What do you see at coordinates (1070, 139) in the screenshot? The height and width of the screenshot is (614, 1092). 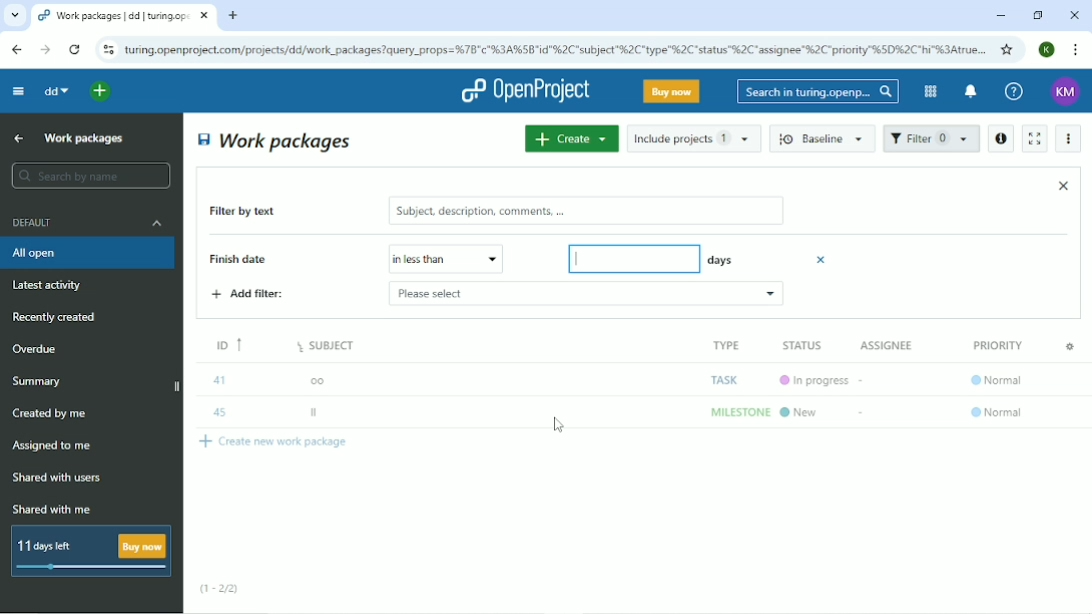 I see `More actions` at bounding box center [1070, 139].